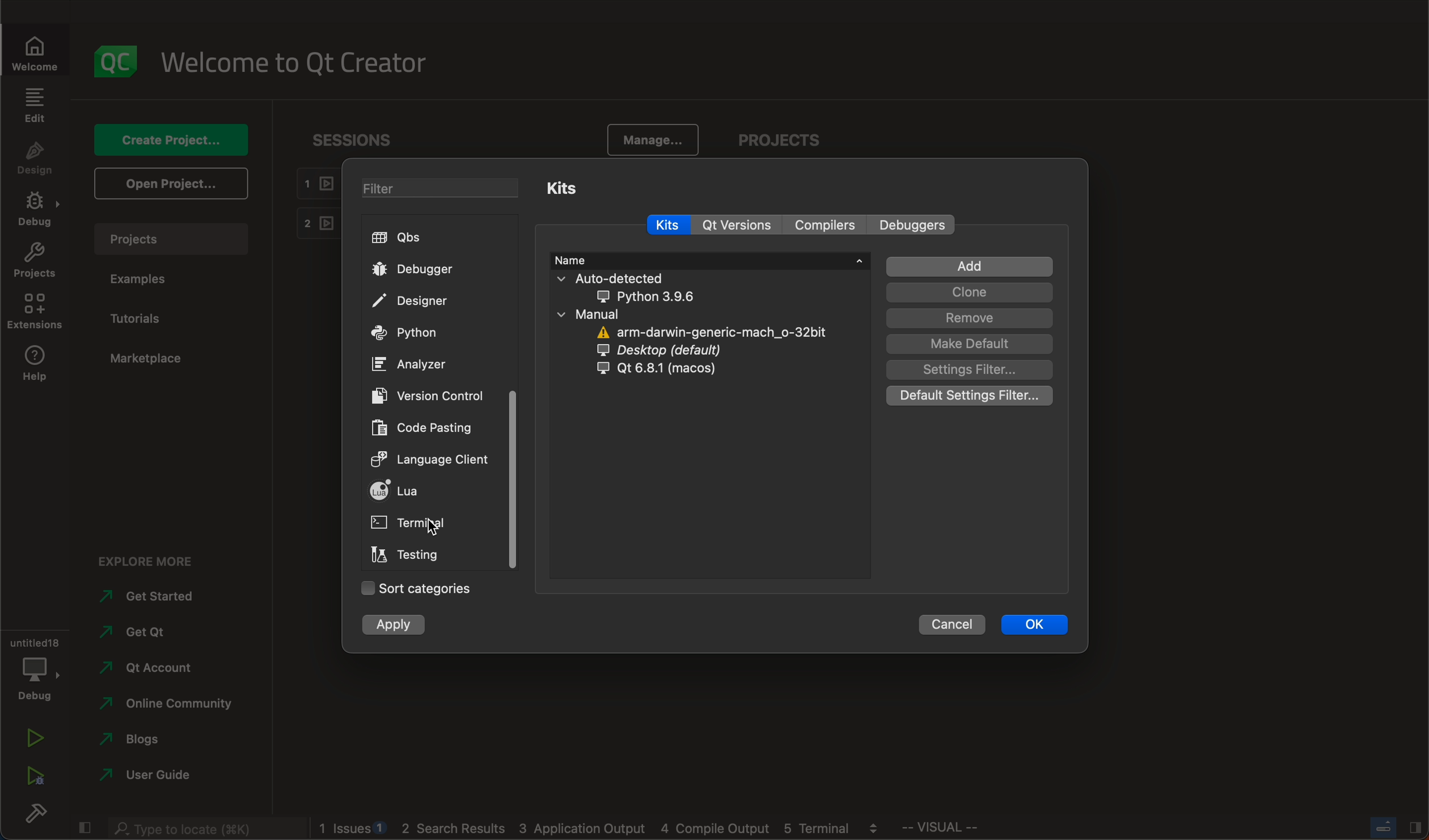 Image resolution: width=1429 pixels, height=840 pixels. Describe the element at coordinates (429, 185) in the screenshot. I see `filter` at that location.